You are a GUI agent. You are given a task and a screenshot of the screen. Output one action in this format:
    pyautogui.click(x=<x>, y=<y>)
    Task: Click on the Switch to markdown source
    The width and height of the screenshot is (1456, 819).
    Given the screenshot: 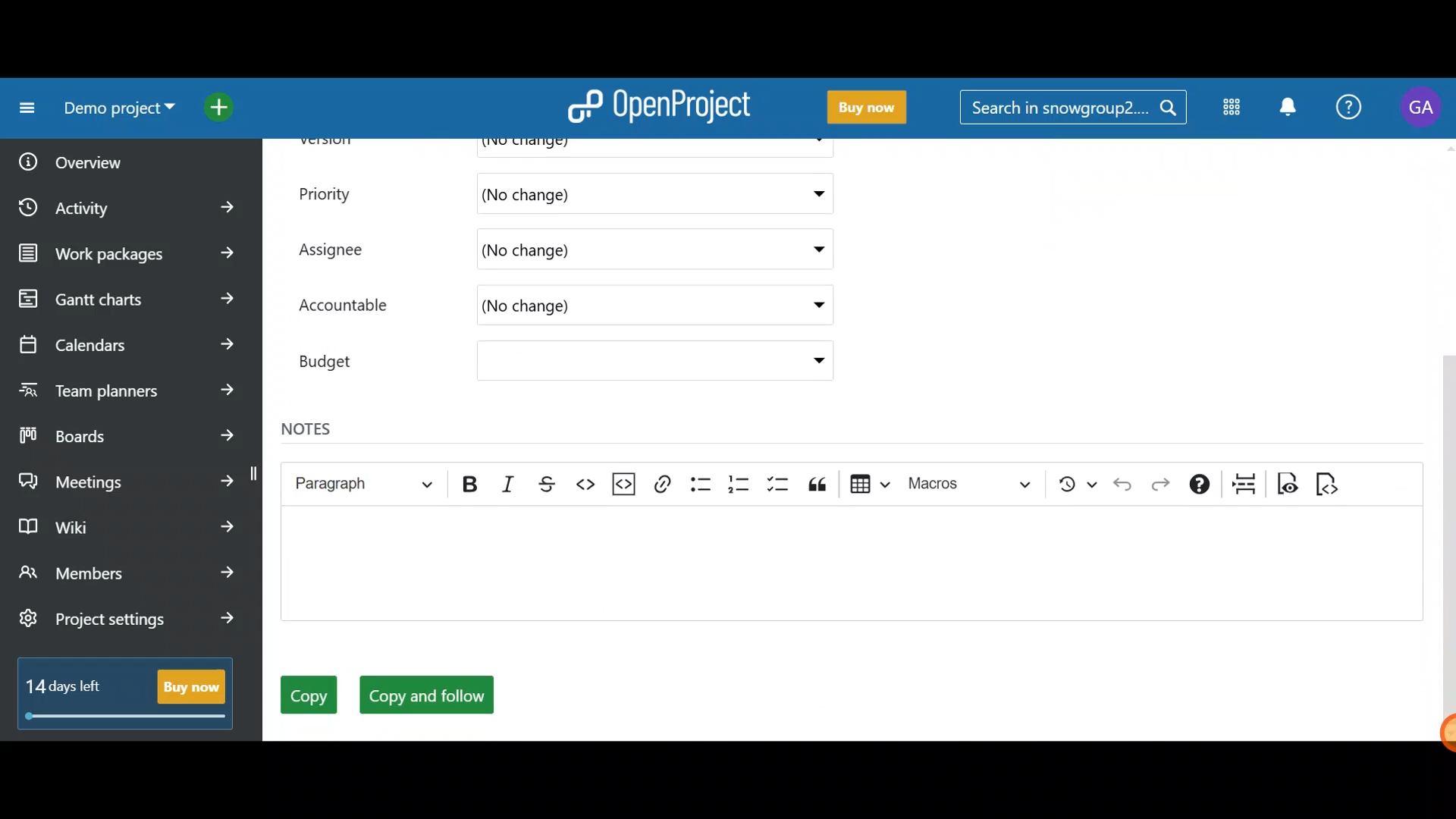 What is the action you would take?
    pyautogui.click(x=1336, y=485)
    